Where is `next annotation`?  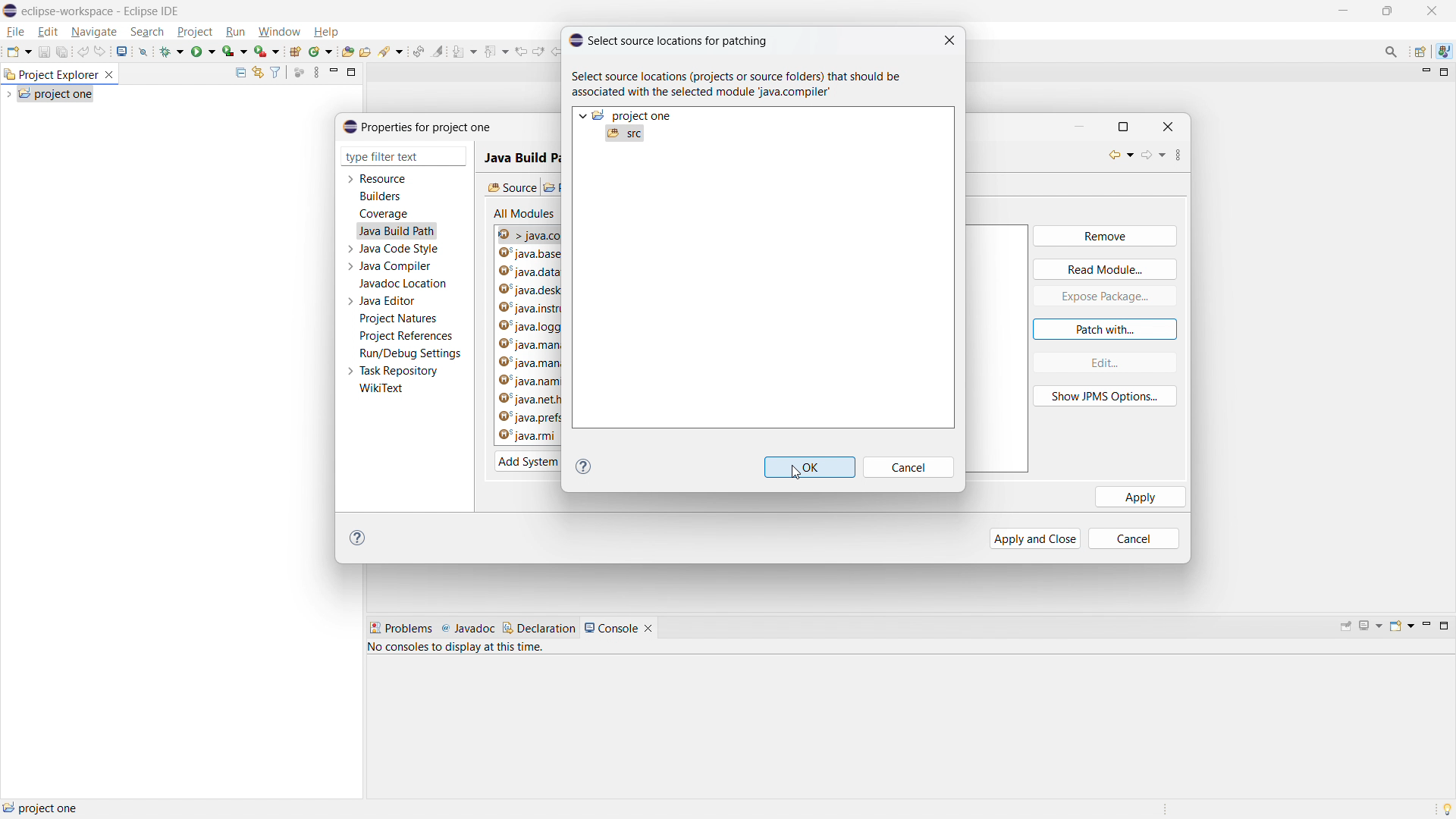
next annotation is located at coordinates (464, 52).